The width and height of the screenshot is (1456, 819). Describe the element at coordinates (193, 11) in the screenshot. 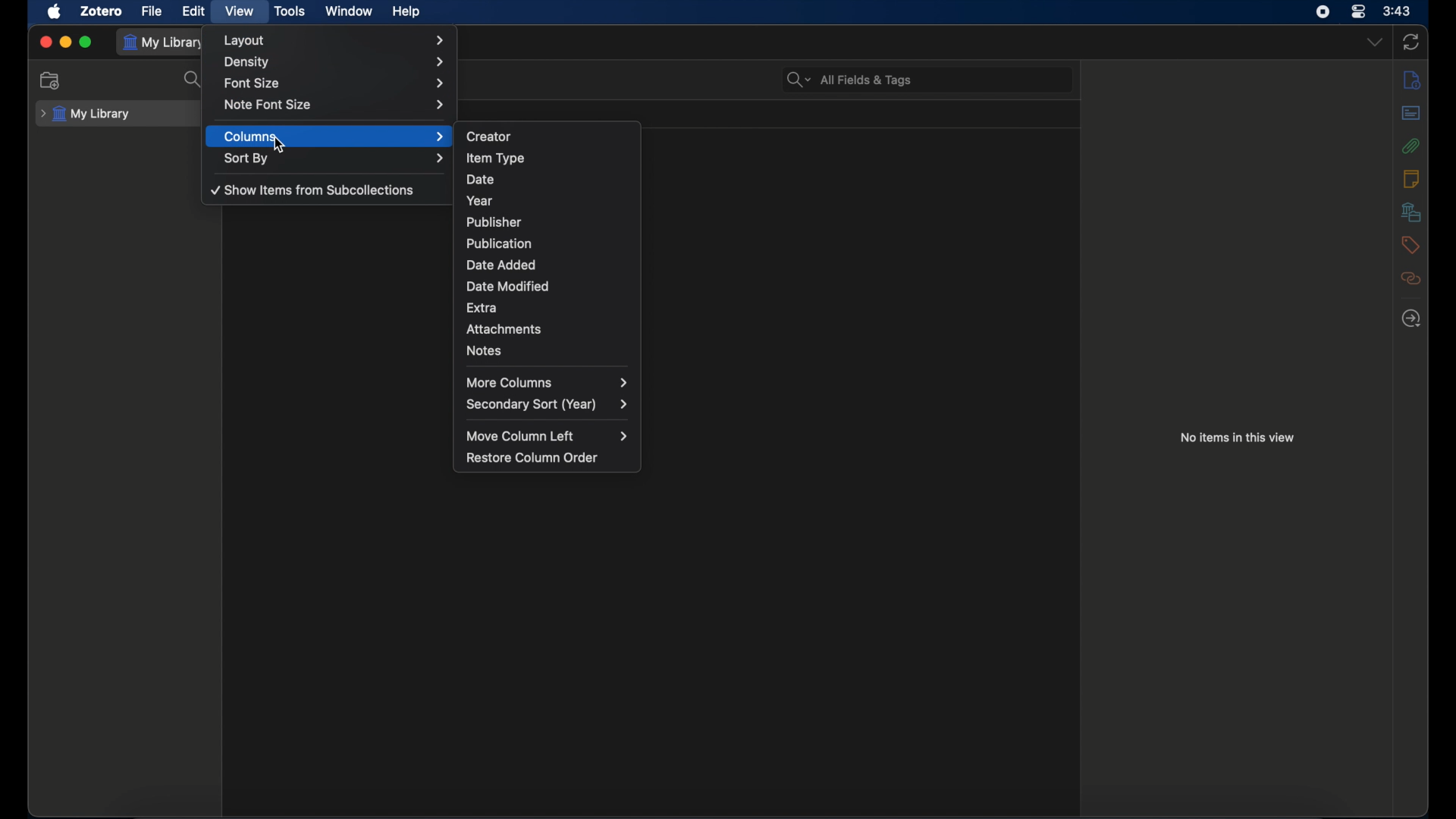

I see `edit` at that location.